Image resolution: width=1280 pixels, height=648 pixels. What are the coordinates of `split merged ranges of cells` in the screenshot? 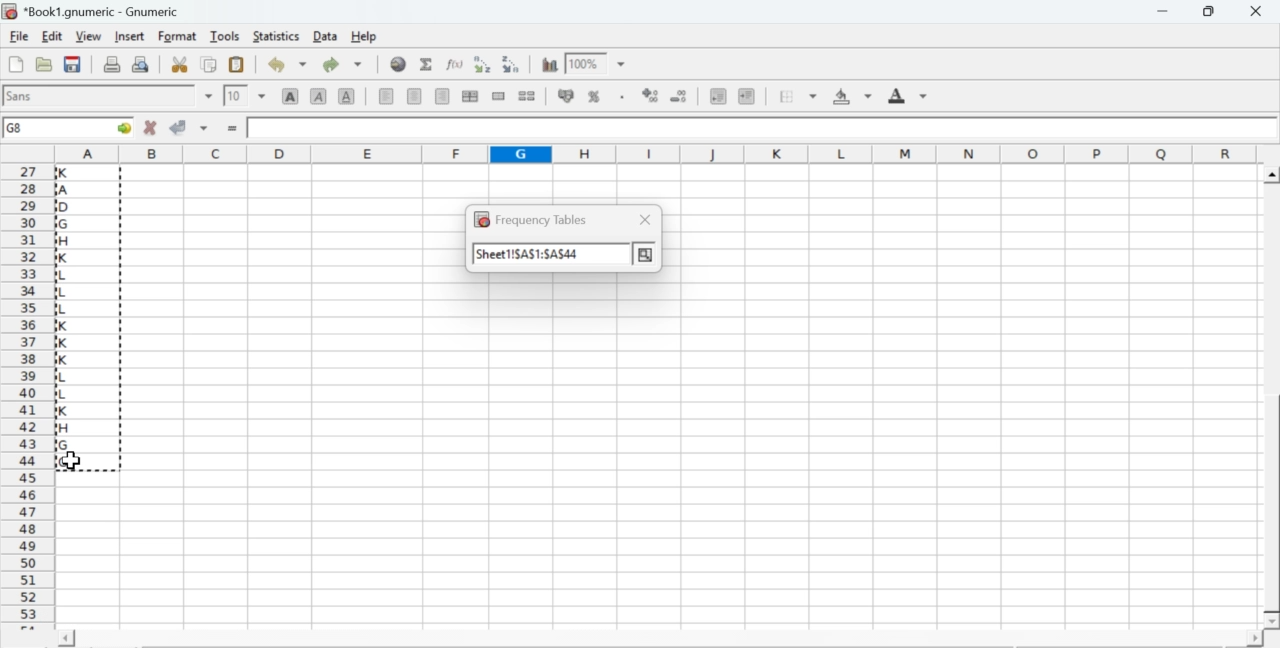 It's located at (526, 95).